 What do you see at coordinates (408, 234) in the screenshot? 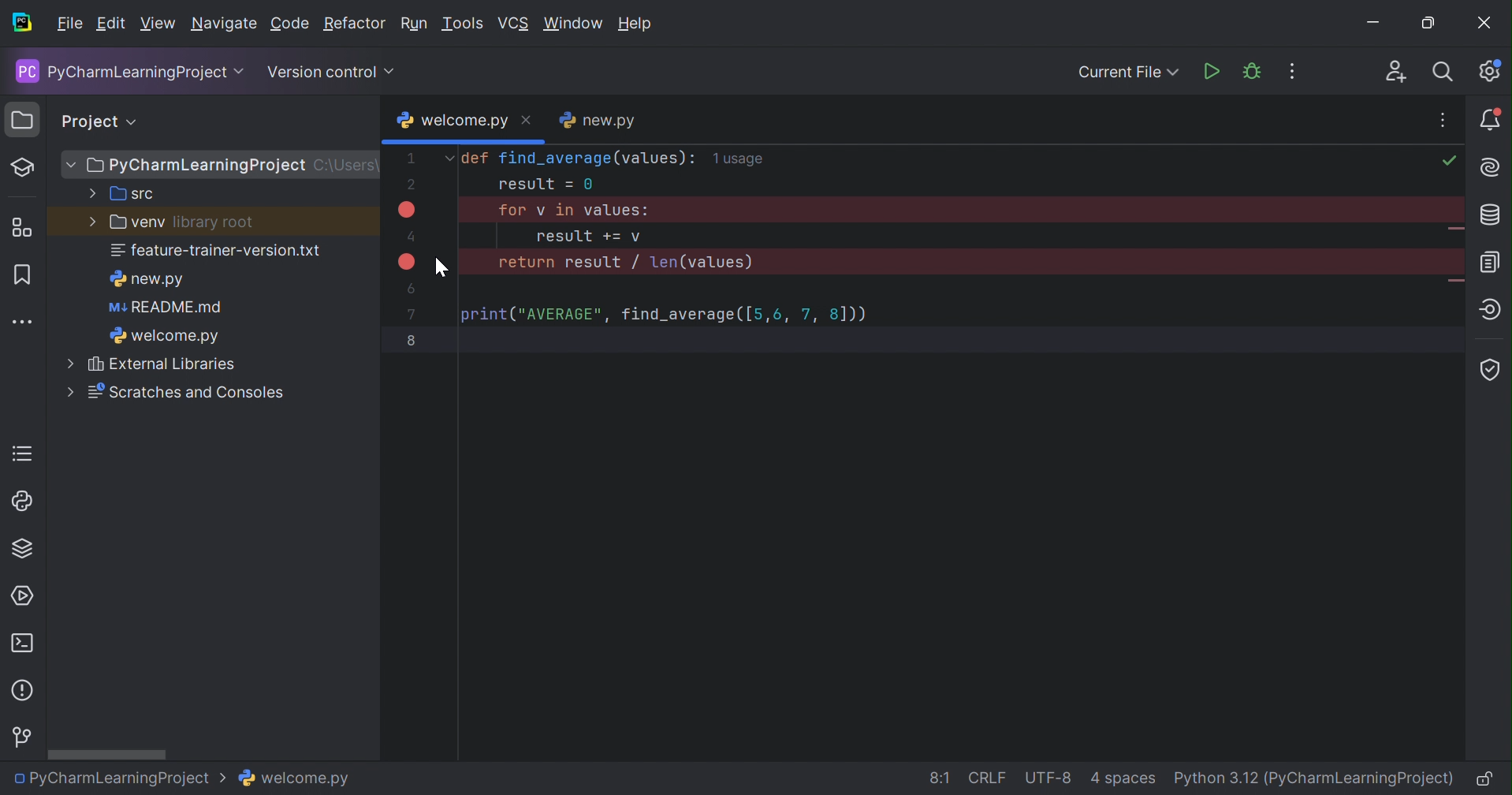
I see `4` at bounding box center [408, 234].